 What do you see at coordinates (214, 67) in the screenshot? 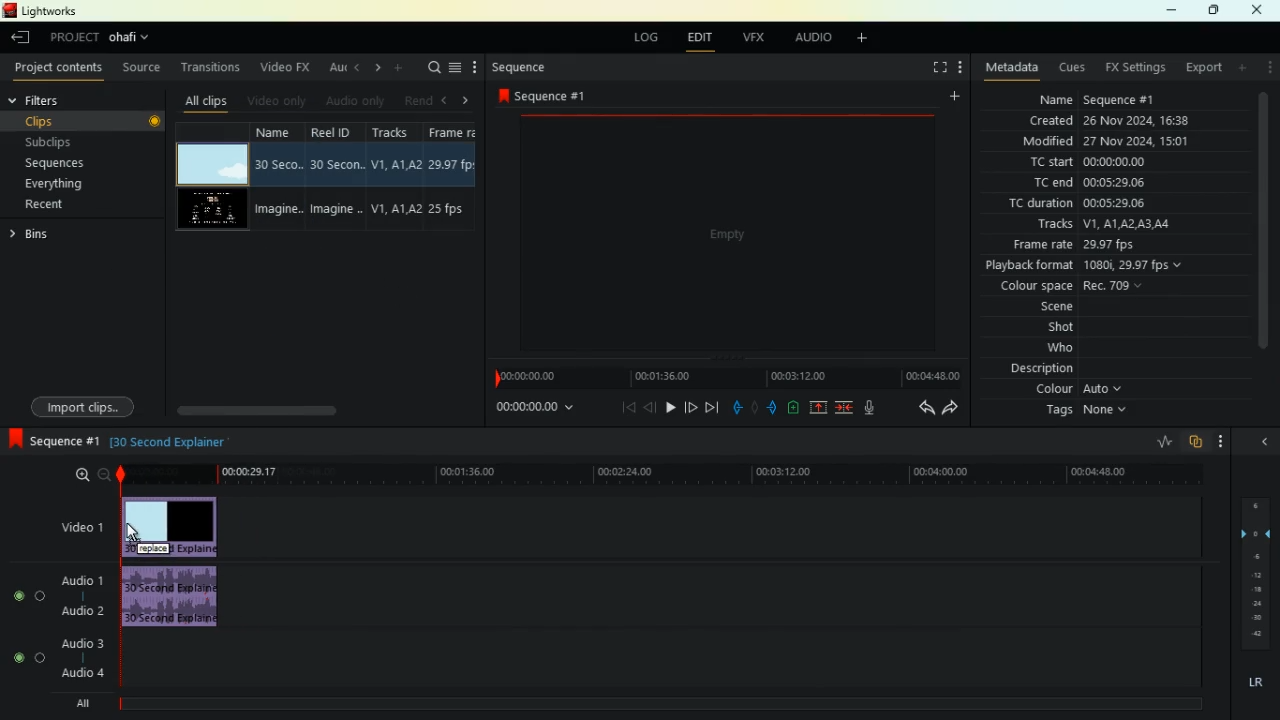
I see `transitions` at bounding box center [214, 67].